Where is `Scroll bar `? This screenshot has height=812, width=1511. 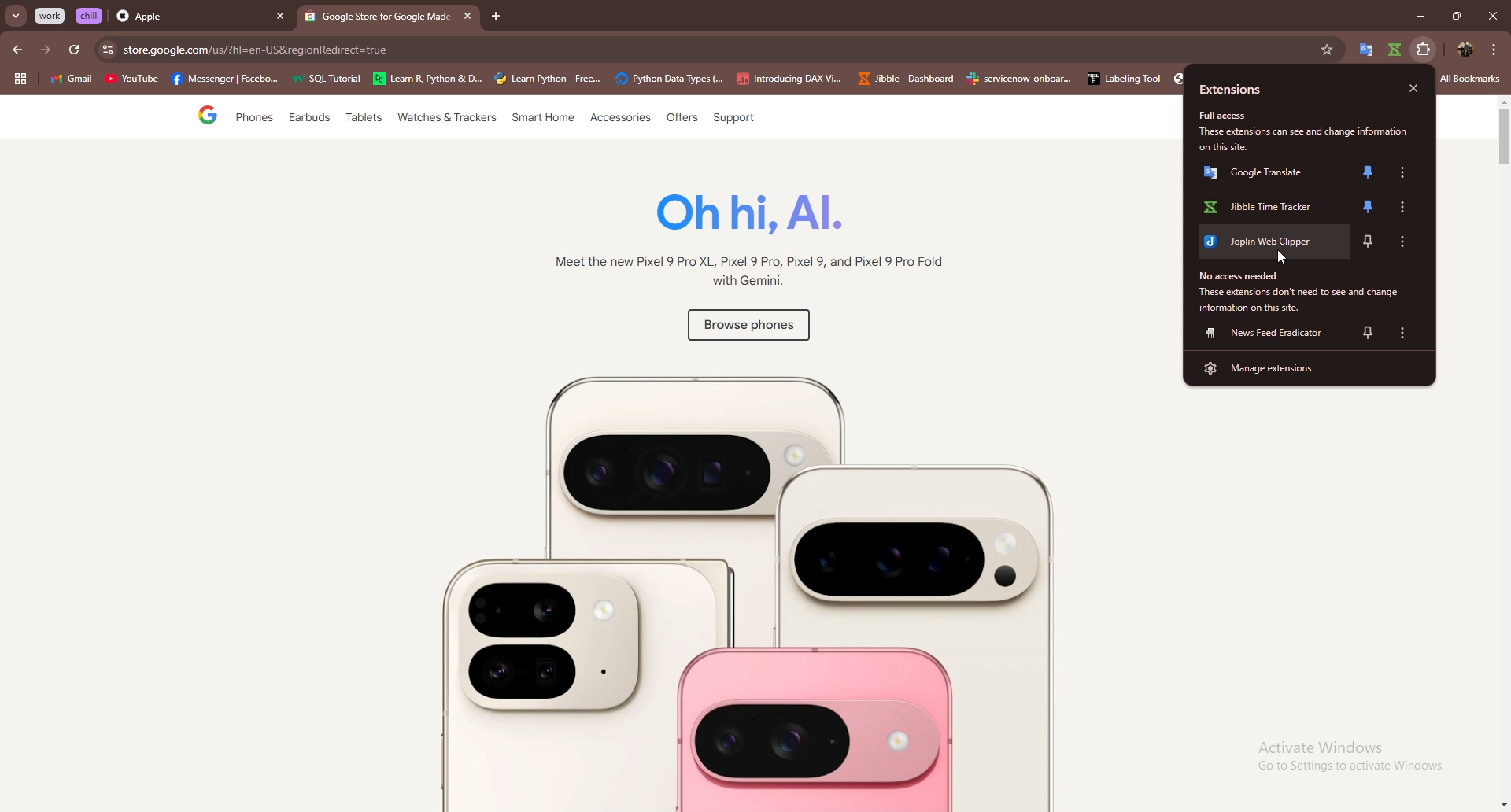 Scroll bar  is located at coordinates (1500, 453).